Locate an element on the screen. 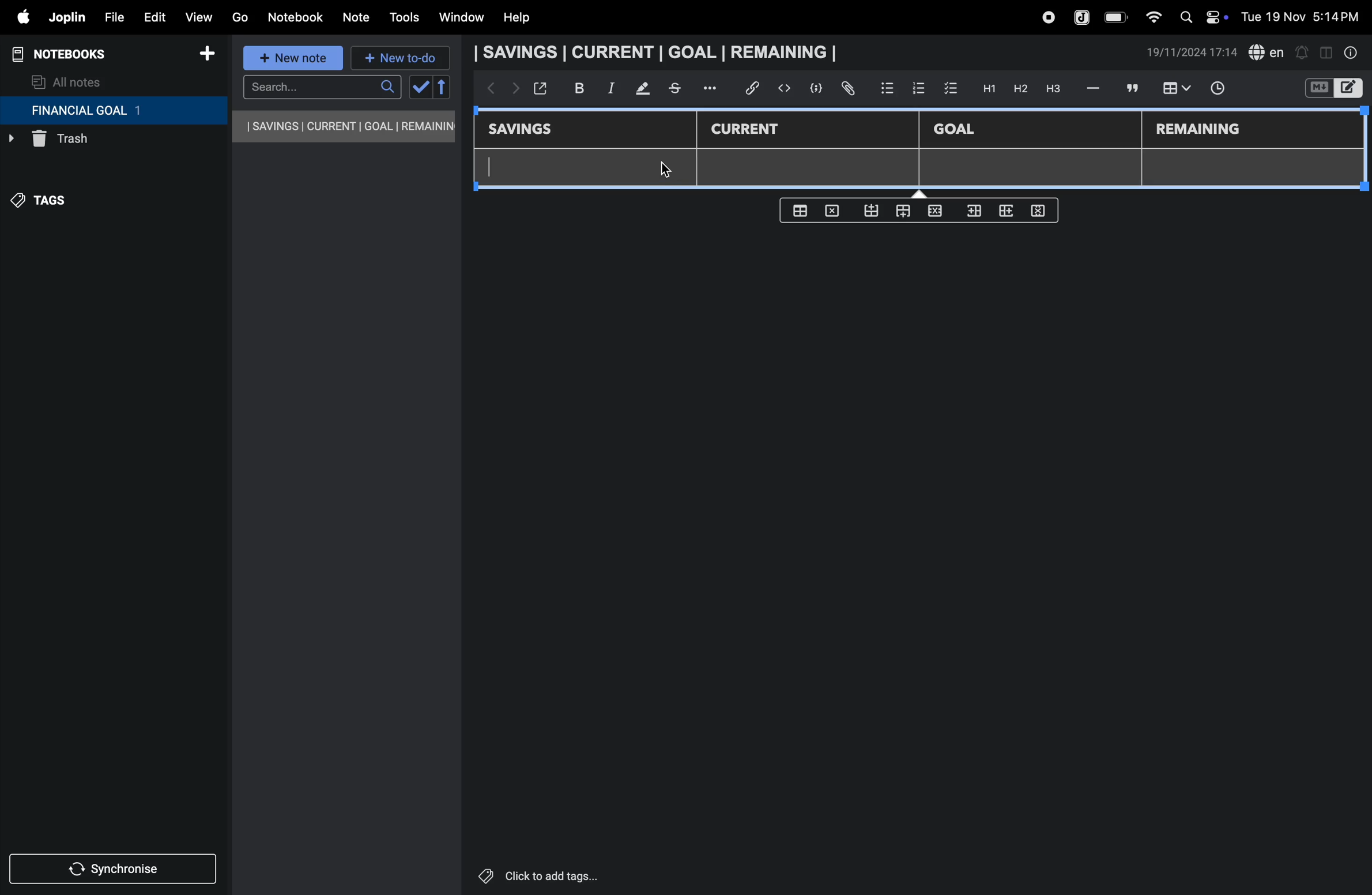  comment is located at coordinates (1130, 88).